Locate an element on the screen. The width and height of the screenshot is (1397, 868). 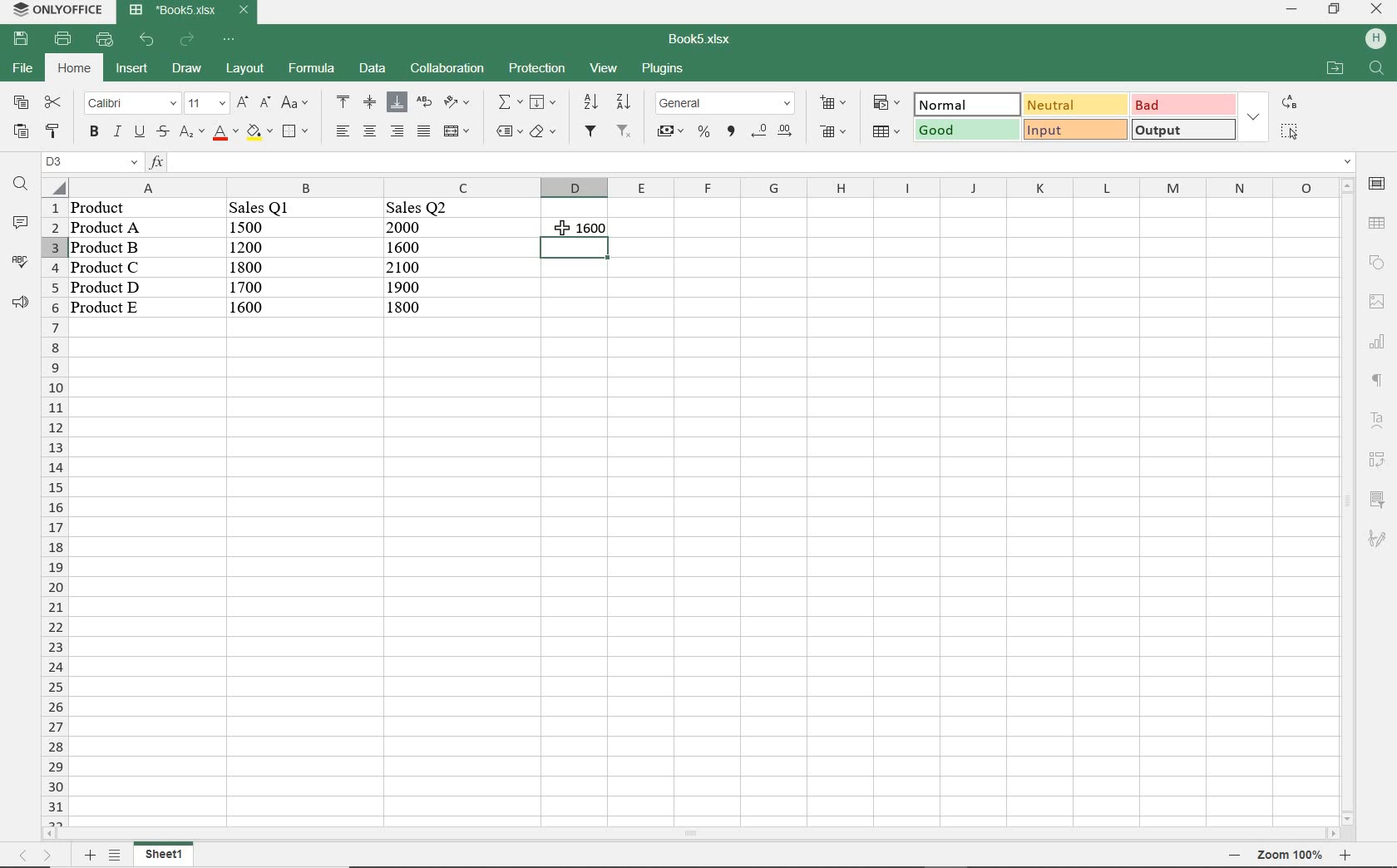
good is located at coordinates (965, 130).